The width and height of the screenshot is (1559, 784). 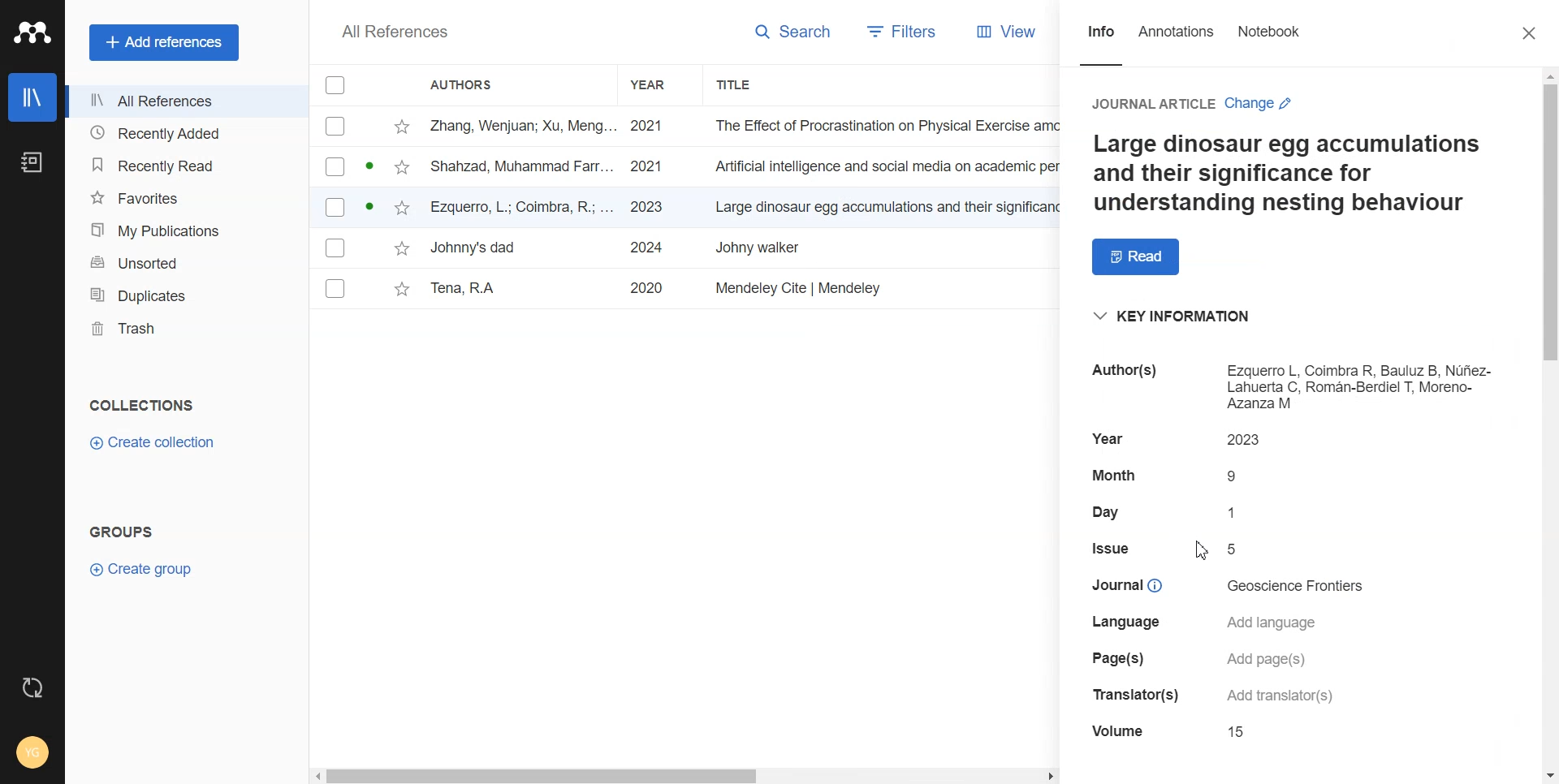 What do you see at coordinates (1237, 730) in the screenshot?
I see `details` at bounding box center [1237, 730].